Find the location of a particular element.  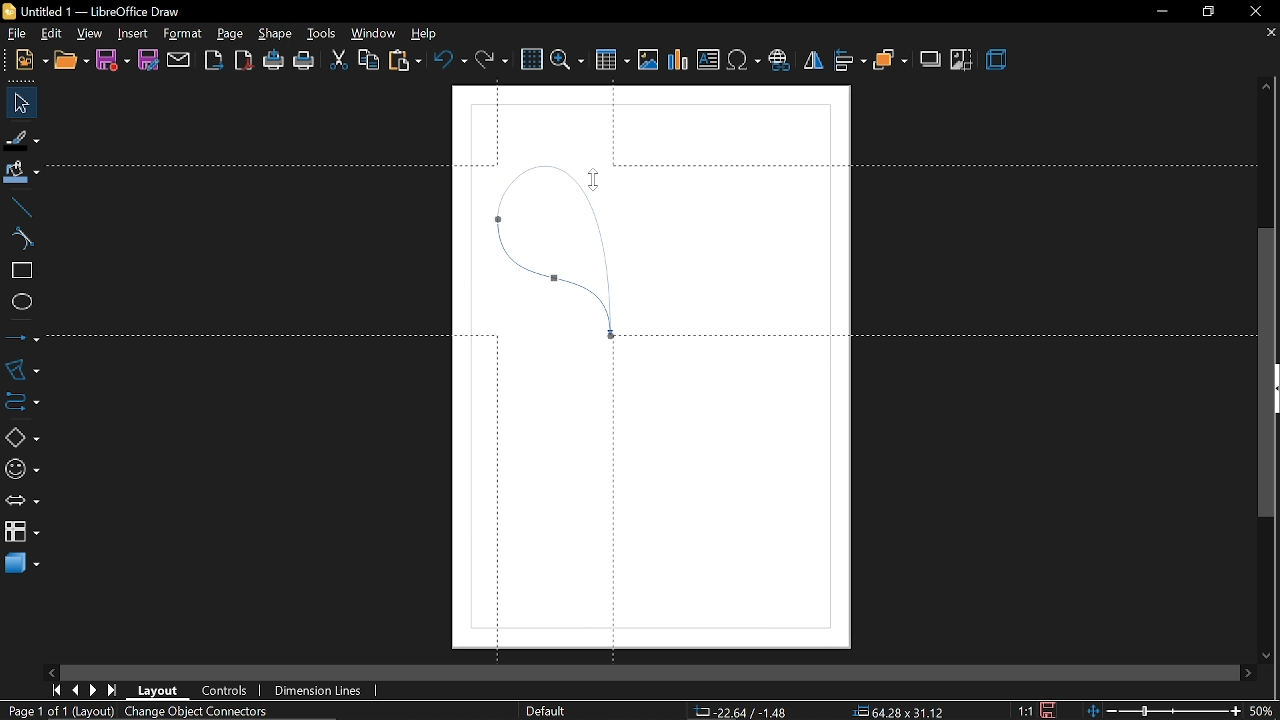

crop is located at coordinates (962, 60).